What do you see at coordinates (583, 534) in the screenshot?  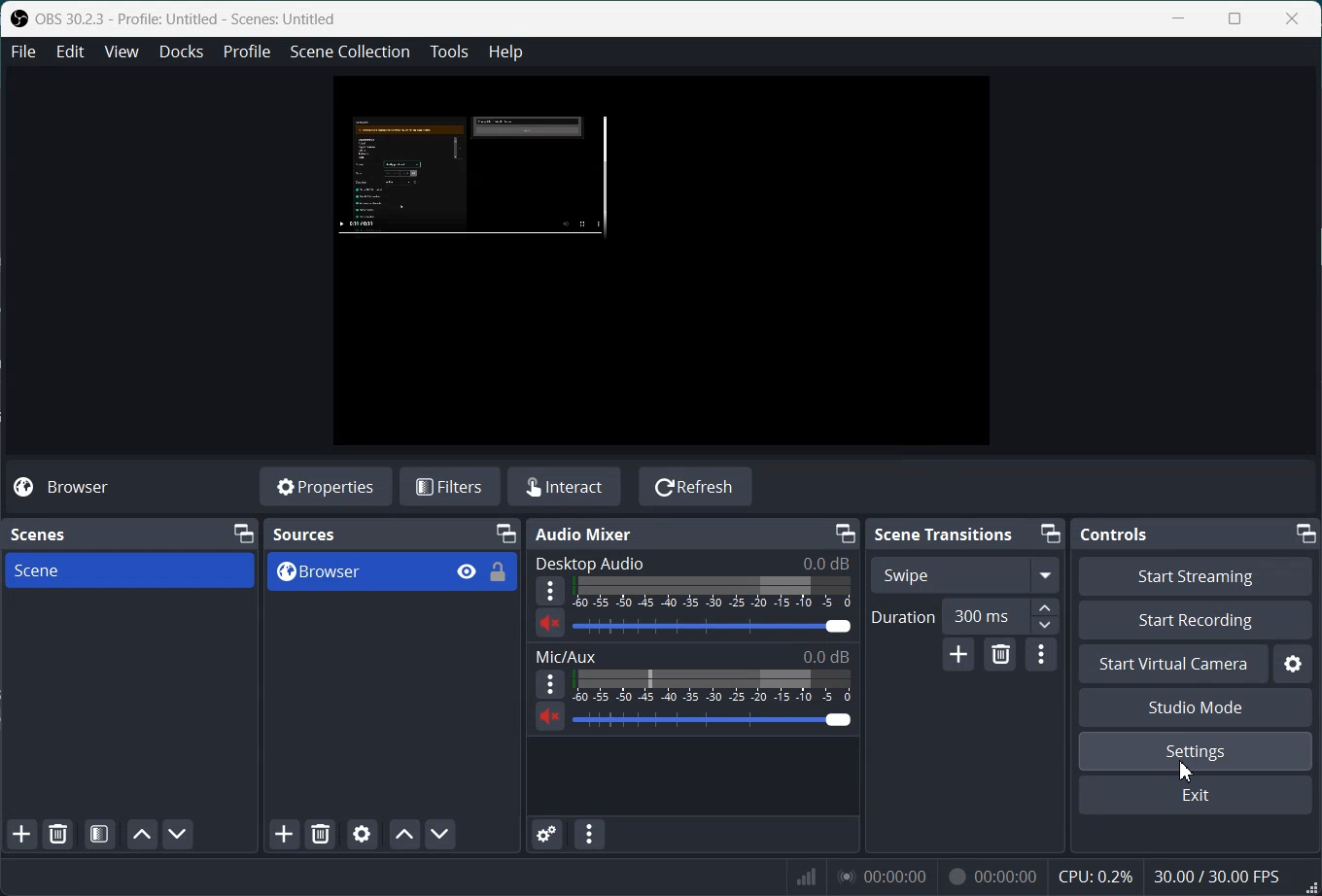 I see `Audio Mixer` at bounding box center [583, 534].